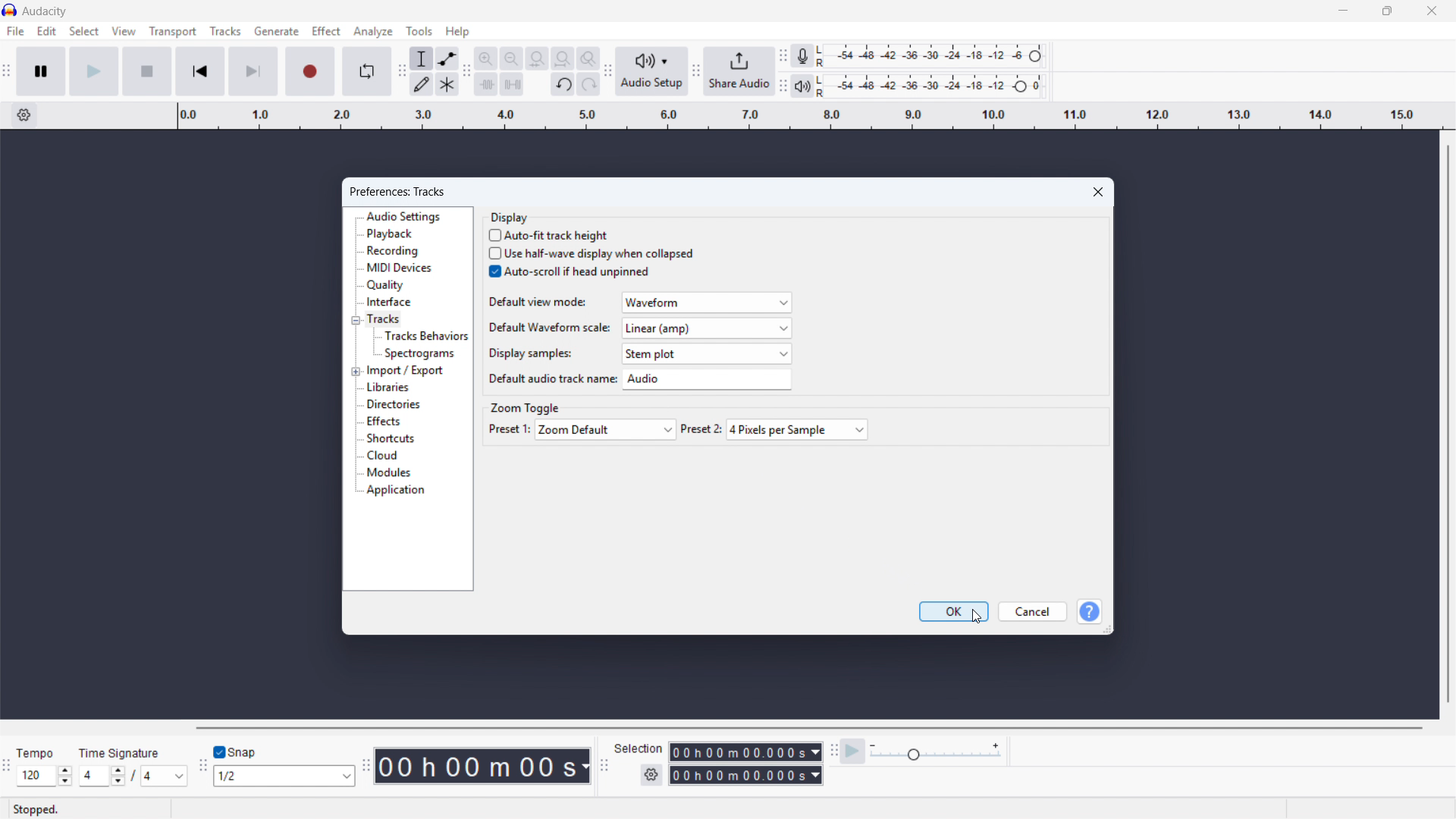 This screenshot has width=1456, height=819. I want to click on horizontal scrollbar, so click(807, 728).